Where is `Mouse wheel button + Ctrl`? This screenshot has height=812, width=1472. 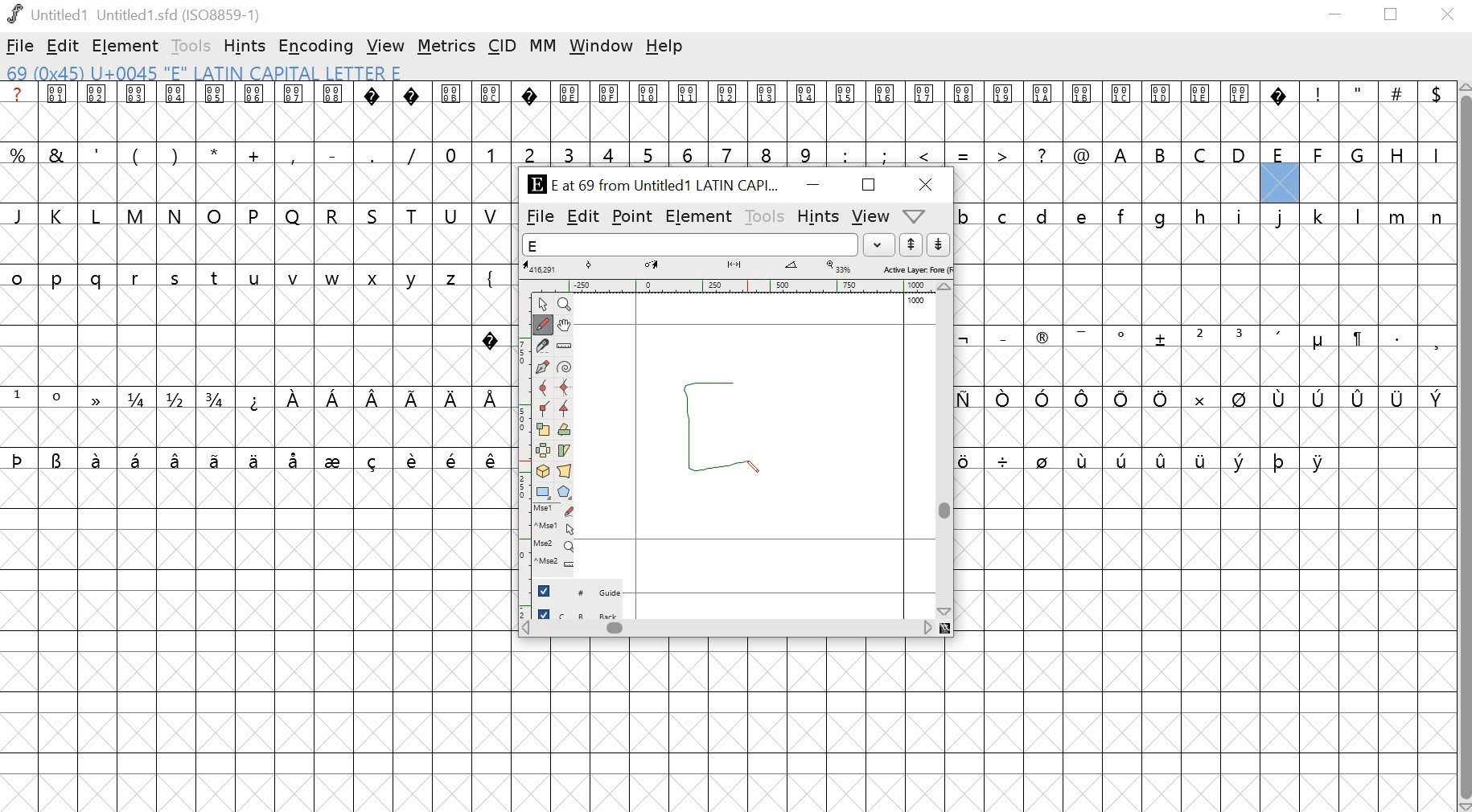 Mouse wheel button + Ctrl is located at coordinates (553, 563).